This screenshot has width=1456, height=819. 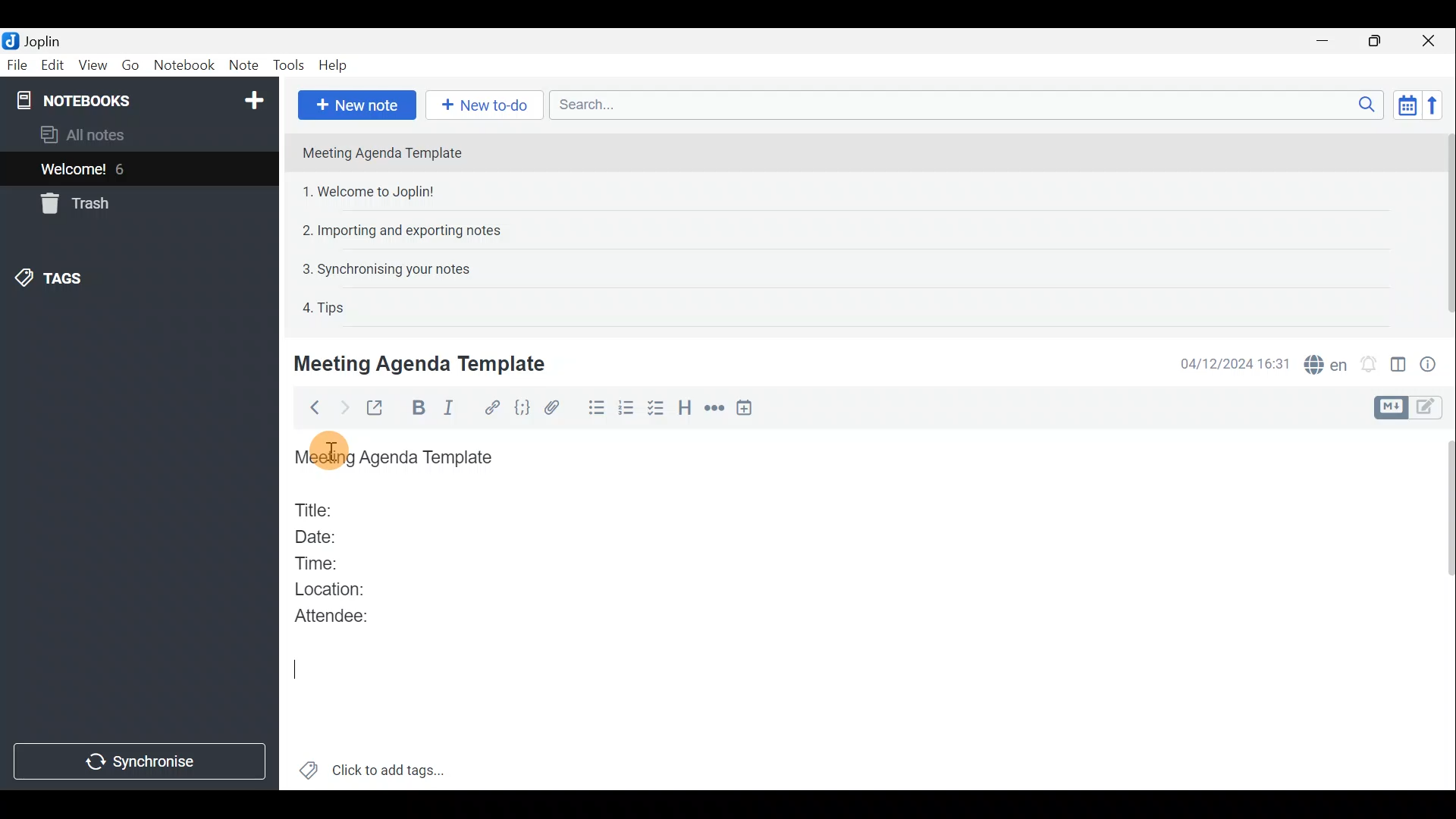 I want to click on Synchronise, so click(x=140, y=764).